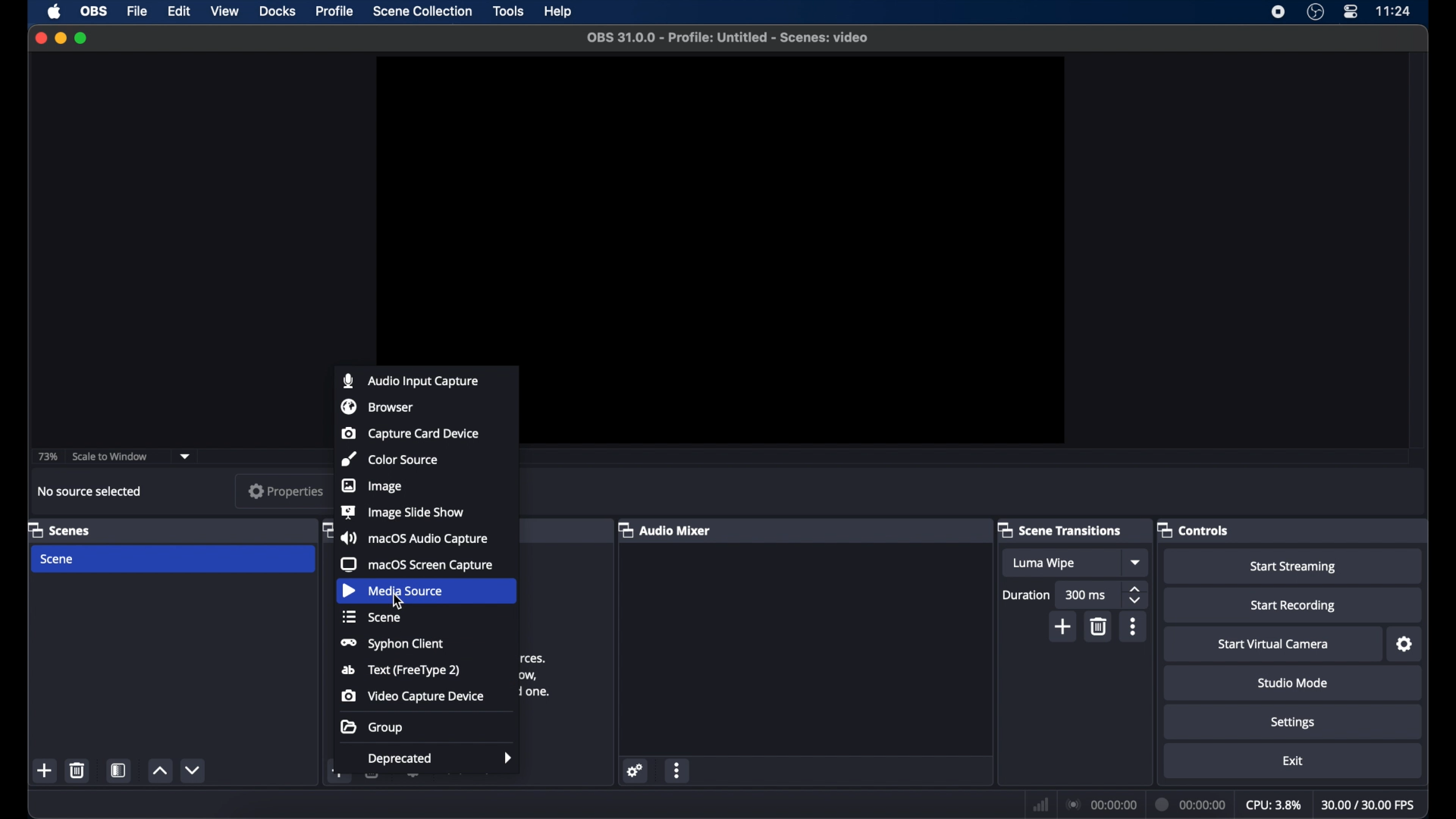  Describe the element at coordinates (392, 645) in the screenshot. I see `syphon client` at that location.